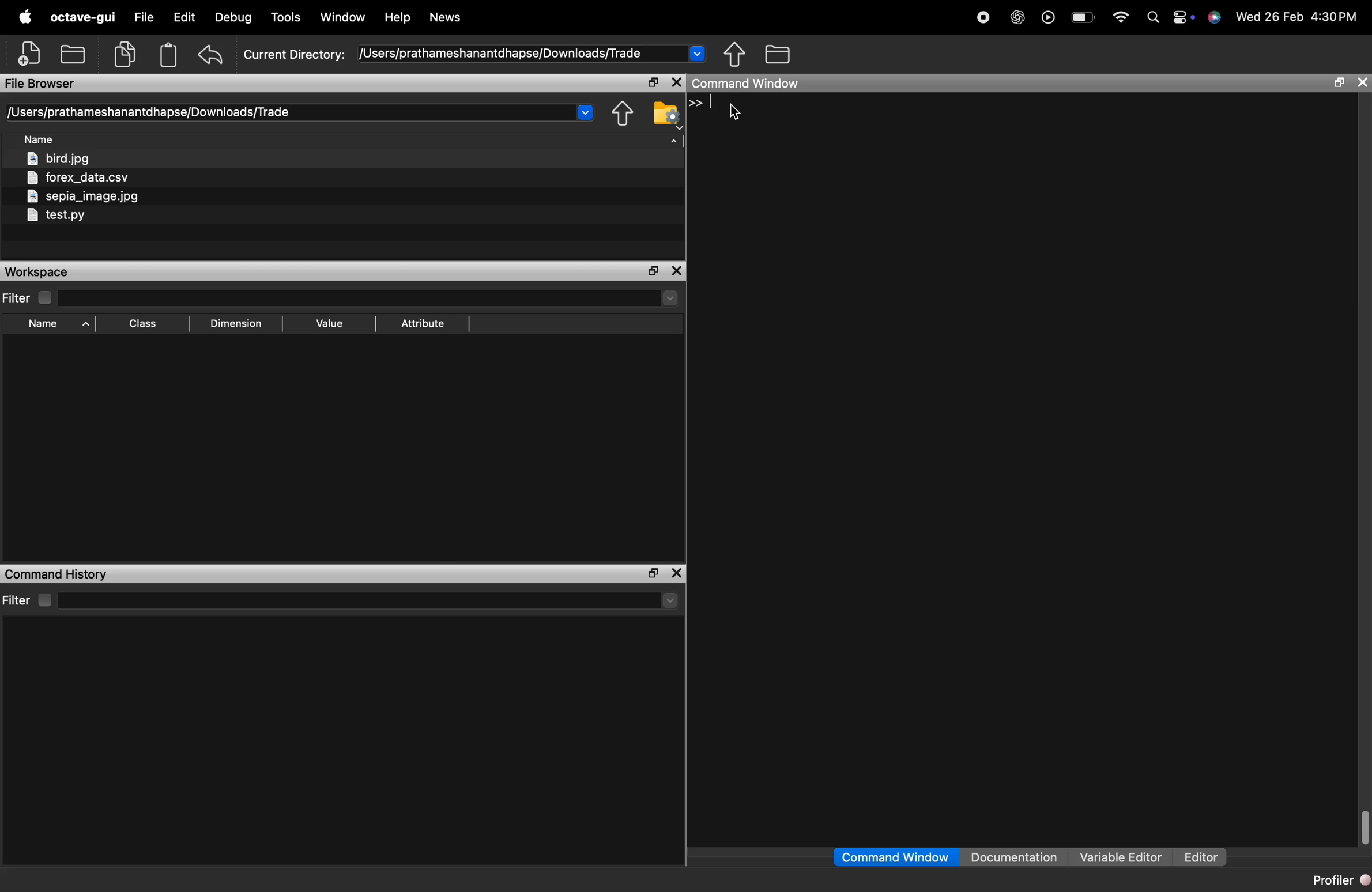 This screenshot has height=892, width=1372. What do you see at coordinates (1153, 20) in the screenshot?
I see `search` at bounding box center [1153, 20].